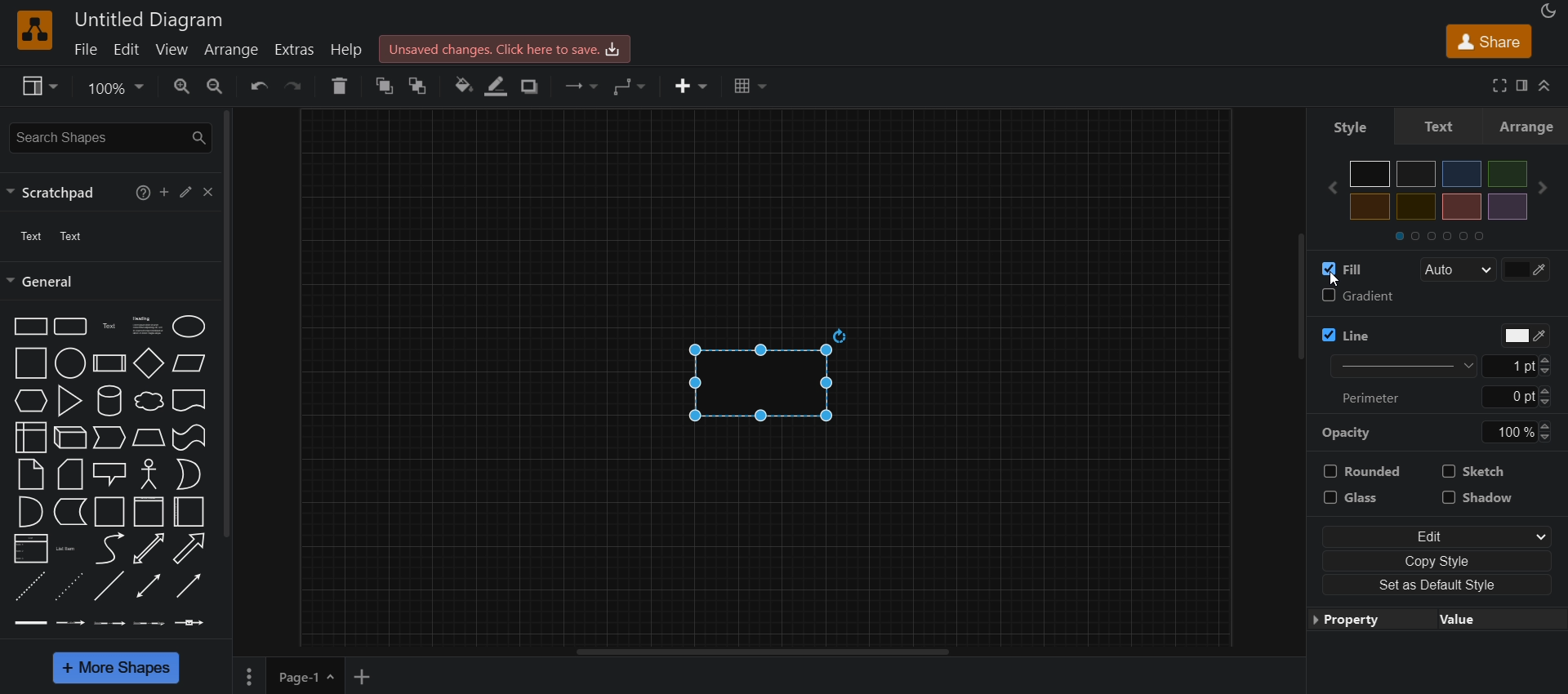  What do you see at coordinates (420, 83) in the screenshot?
I see `to front` at bounding box center [420, 83].